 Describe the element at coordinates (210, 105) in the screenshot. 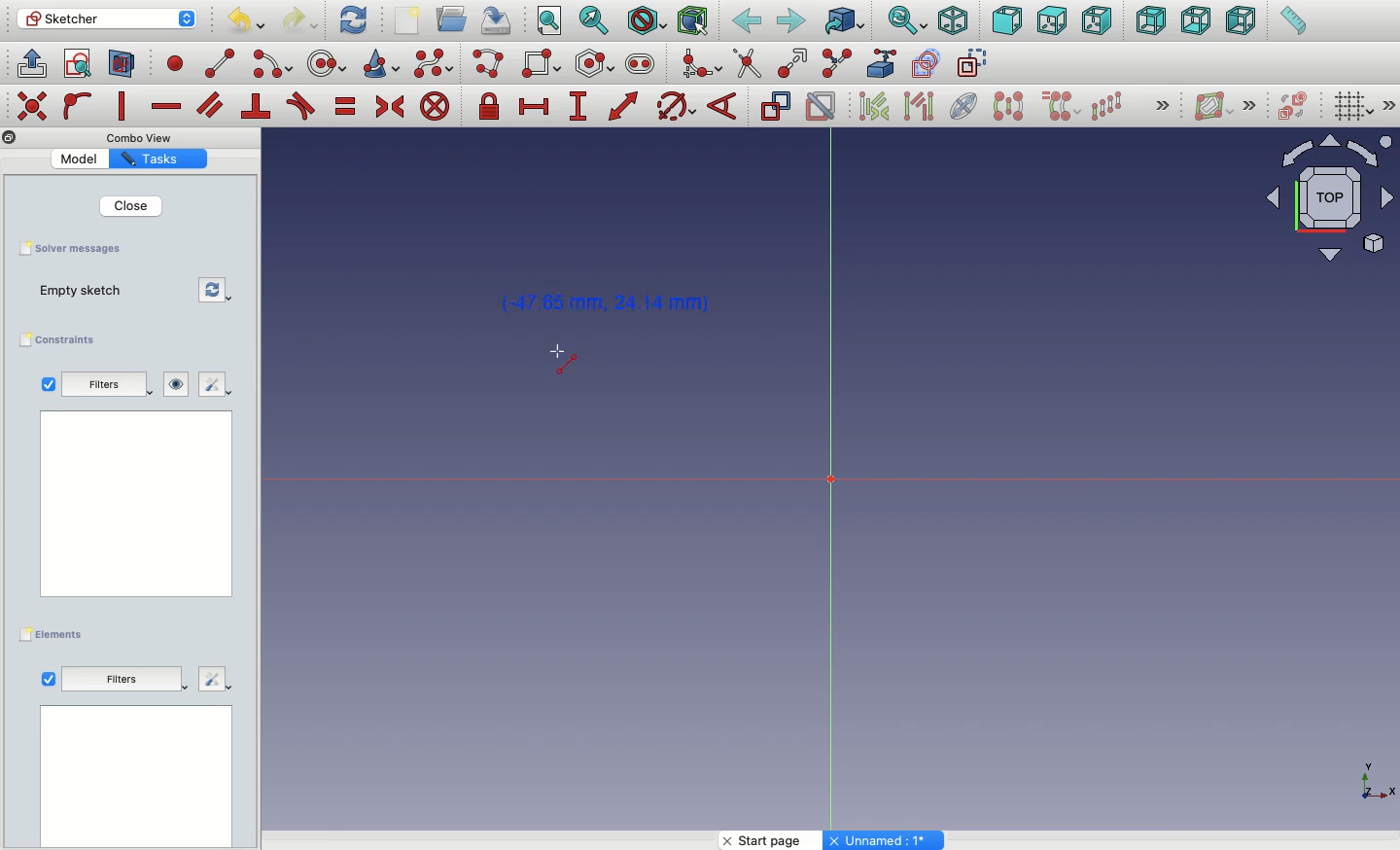

I see `Constrain parallel` at that location.